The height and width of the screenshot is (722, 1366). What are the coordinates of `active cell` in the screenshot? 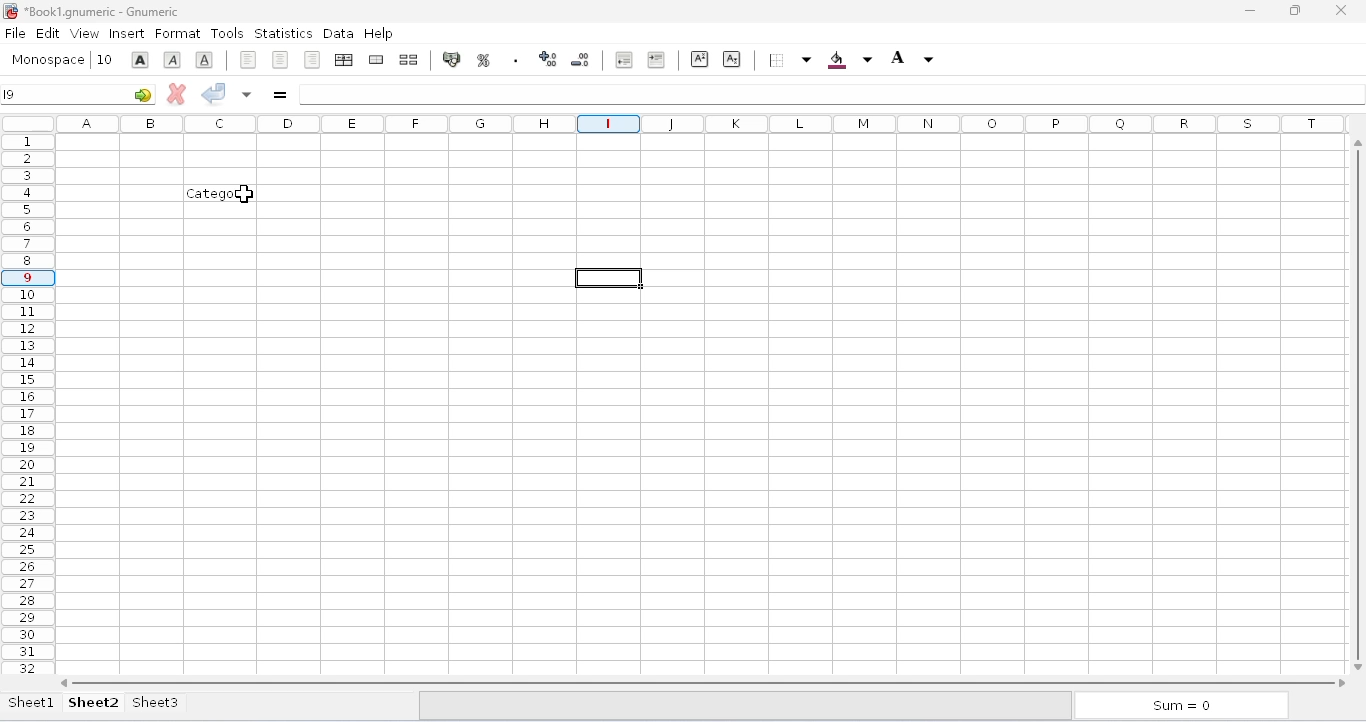 It's located at (610, 278).